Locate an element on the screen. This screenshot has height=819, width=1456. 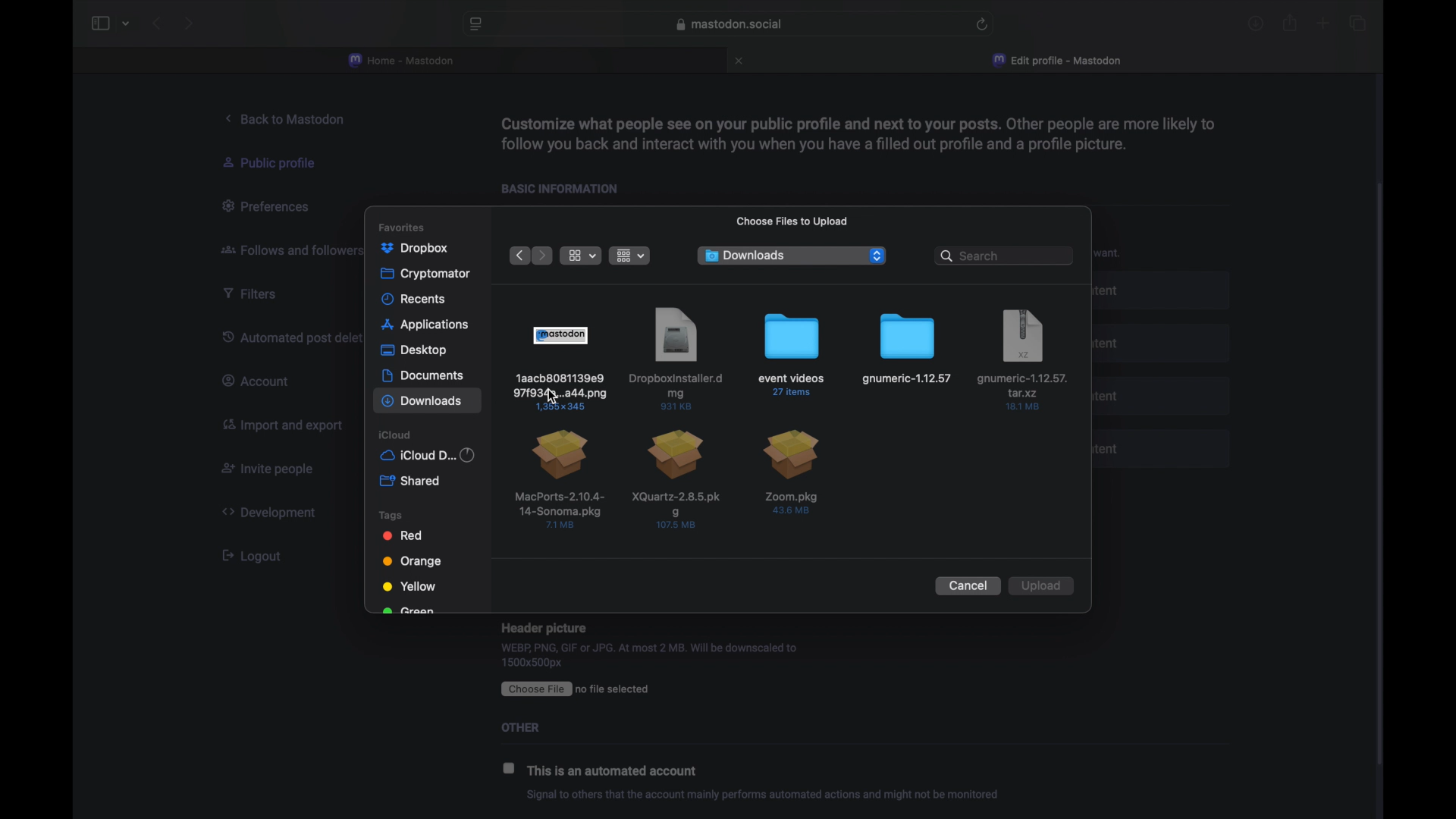
choose files to upload is located at coordinates (792, 220).